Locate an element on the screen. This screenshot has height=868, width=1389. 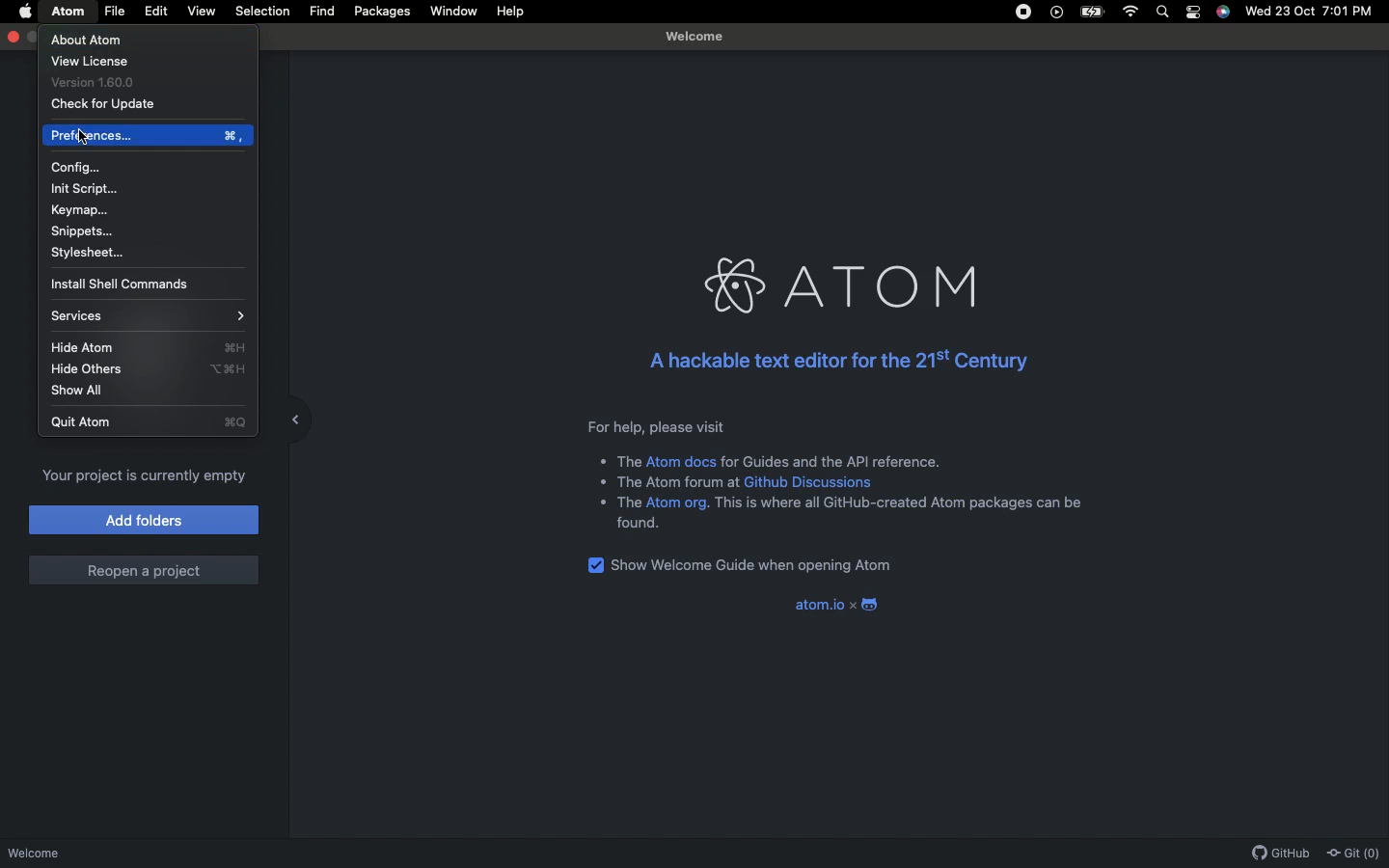
About Atom is located at coordinates (89, 39).